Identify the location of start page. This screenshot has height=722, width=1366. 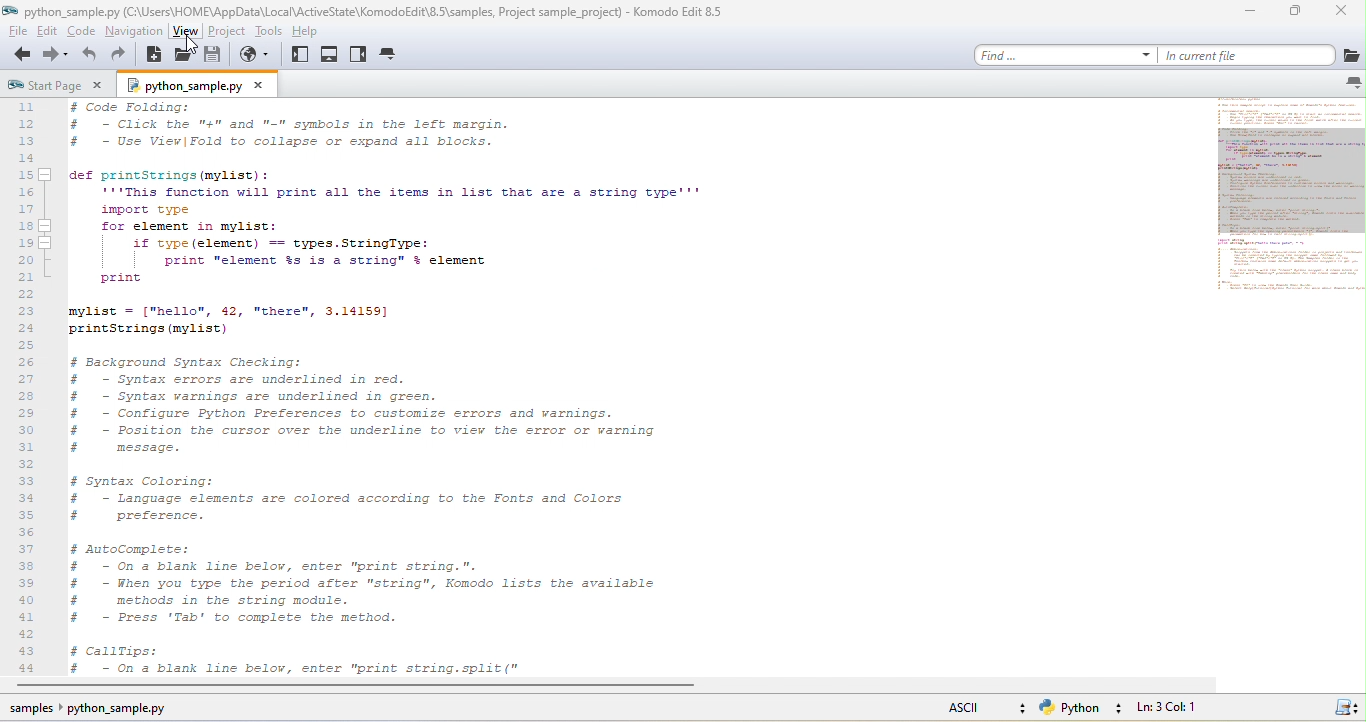
(55, 84).